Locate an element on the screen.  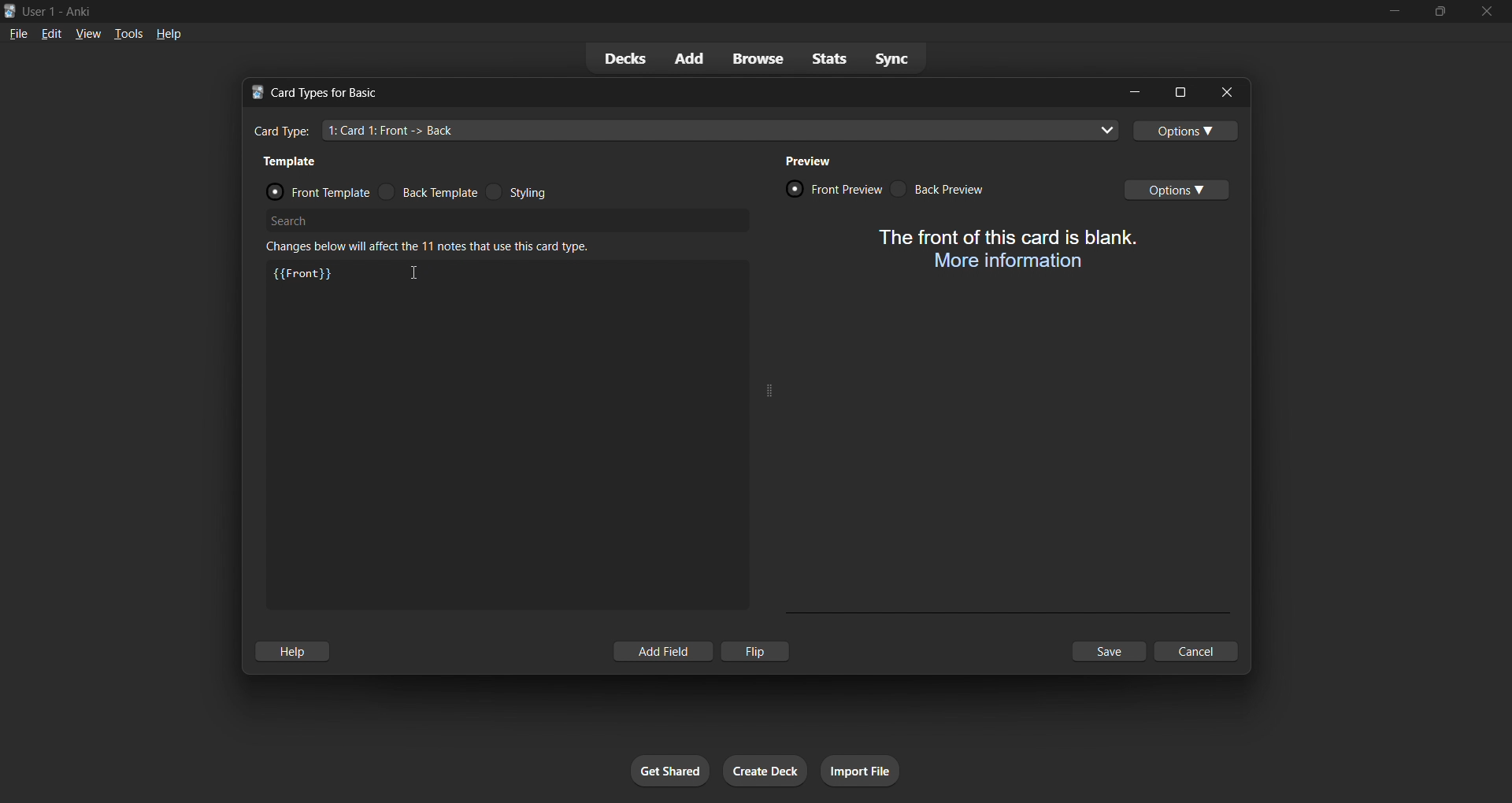
back preview is located at coordinates (949, 190).